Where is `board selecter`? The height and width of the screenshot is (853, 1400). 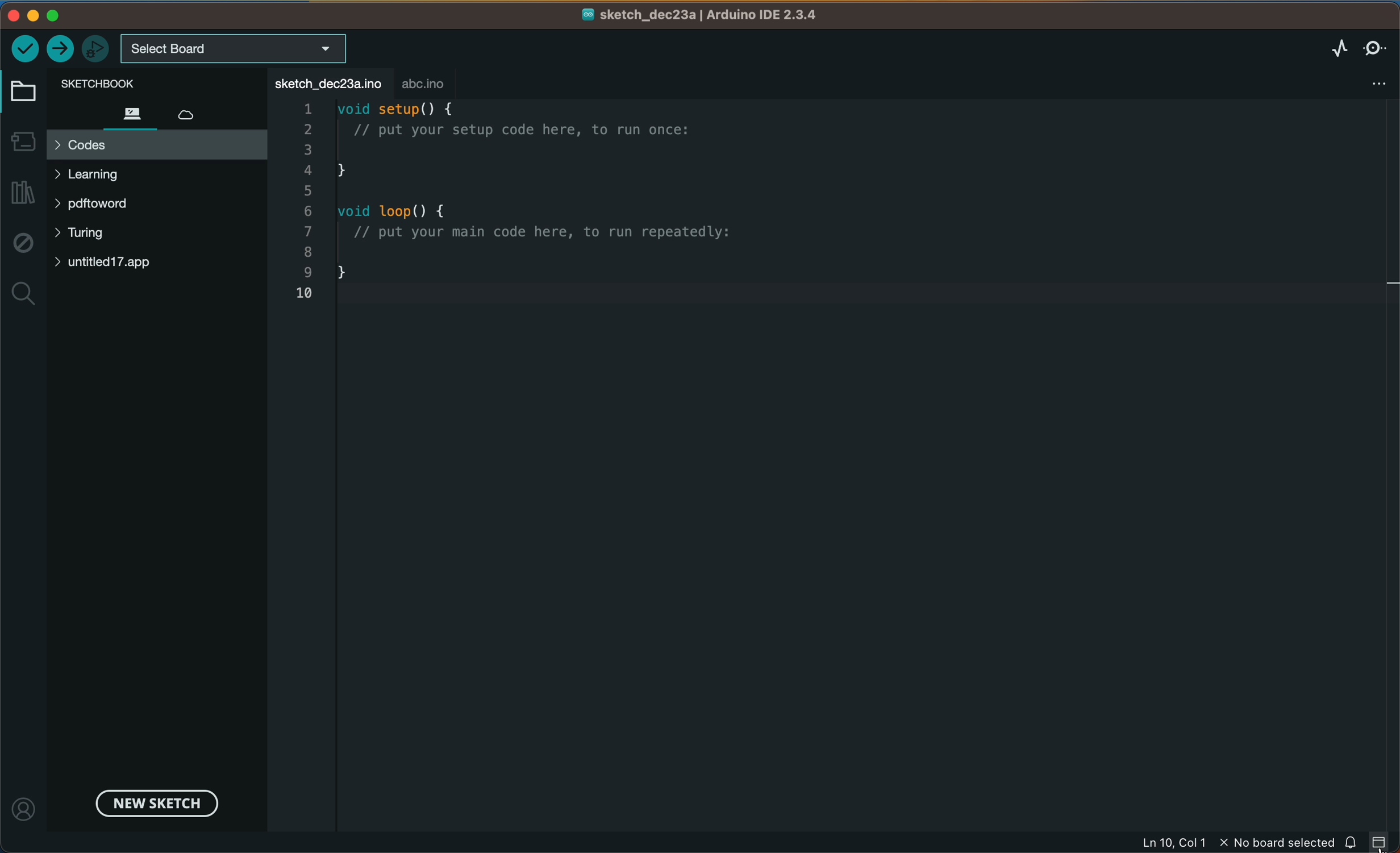 board selecter is located at coordinates (235, 49).